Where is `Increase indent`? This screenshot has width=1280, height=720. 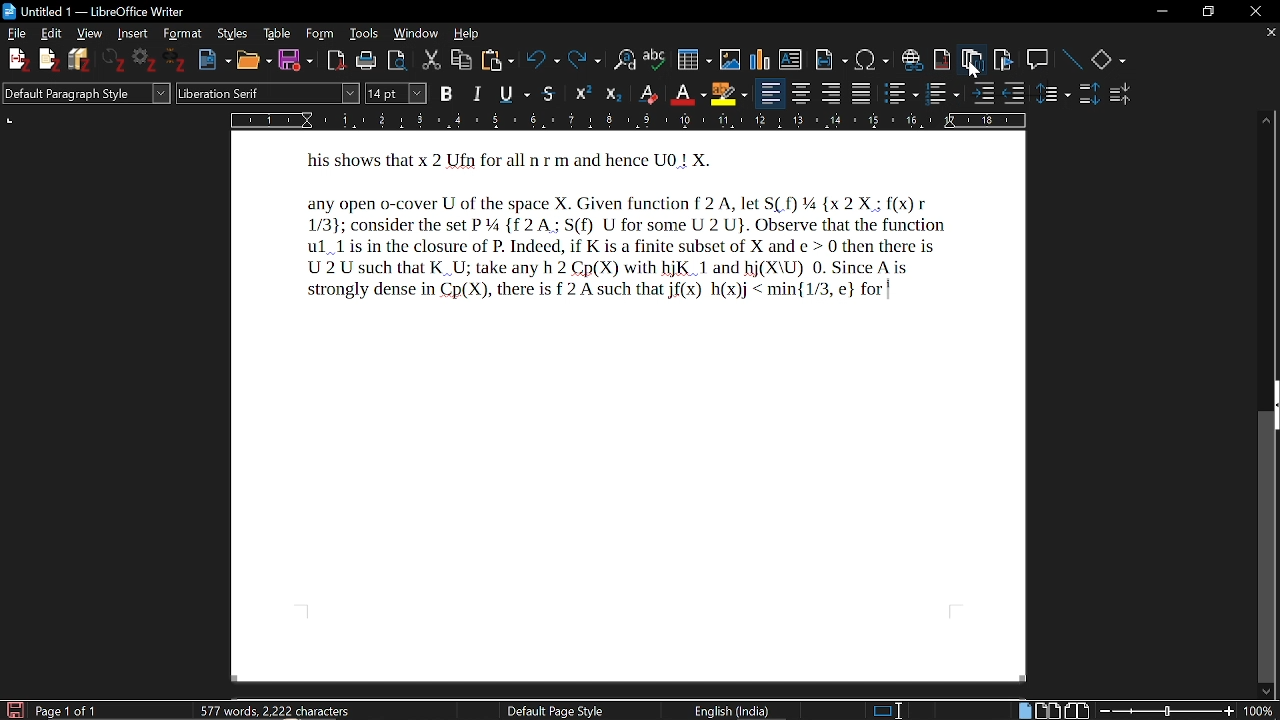
Increase indent is located at coordinates (982, 94).